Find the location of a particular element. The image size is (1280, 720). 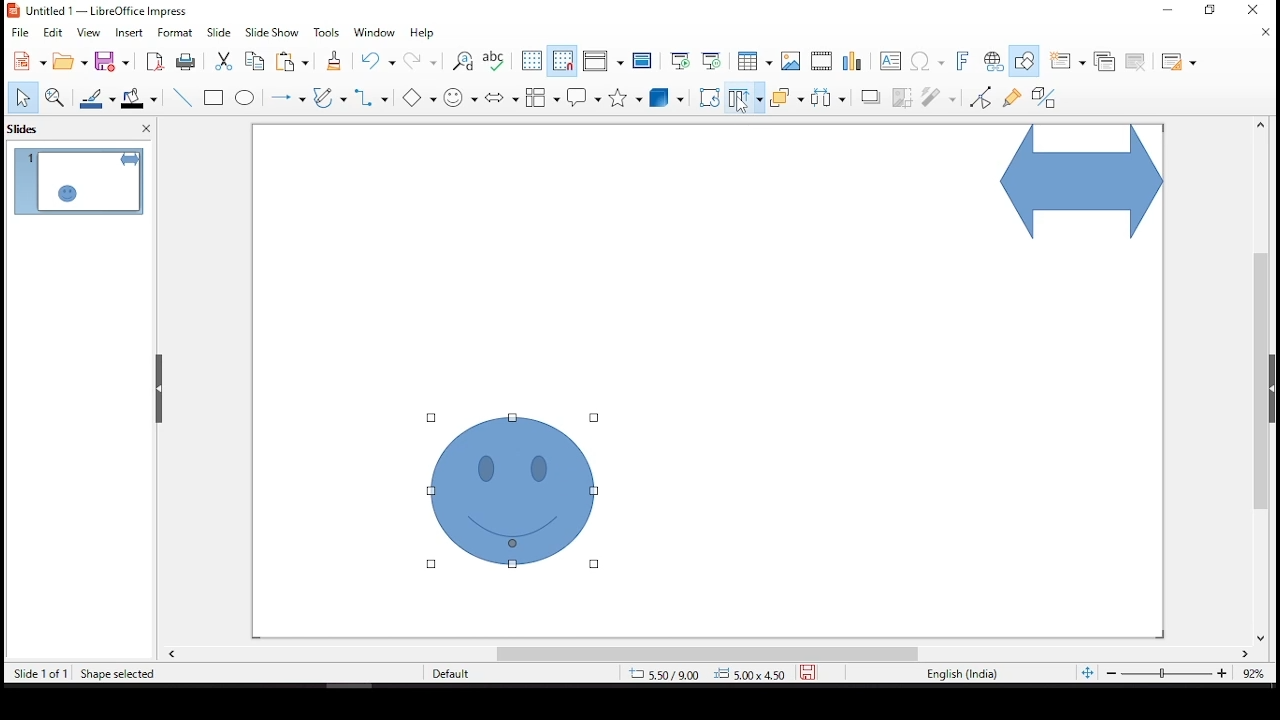

spell check is located at coordinates (495, 61).